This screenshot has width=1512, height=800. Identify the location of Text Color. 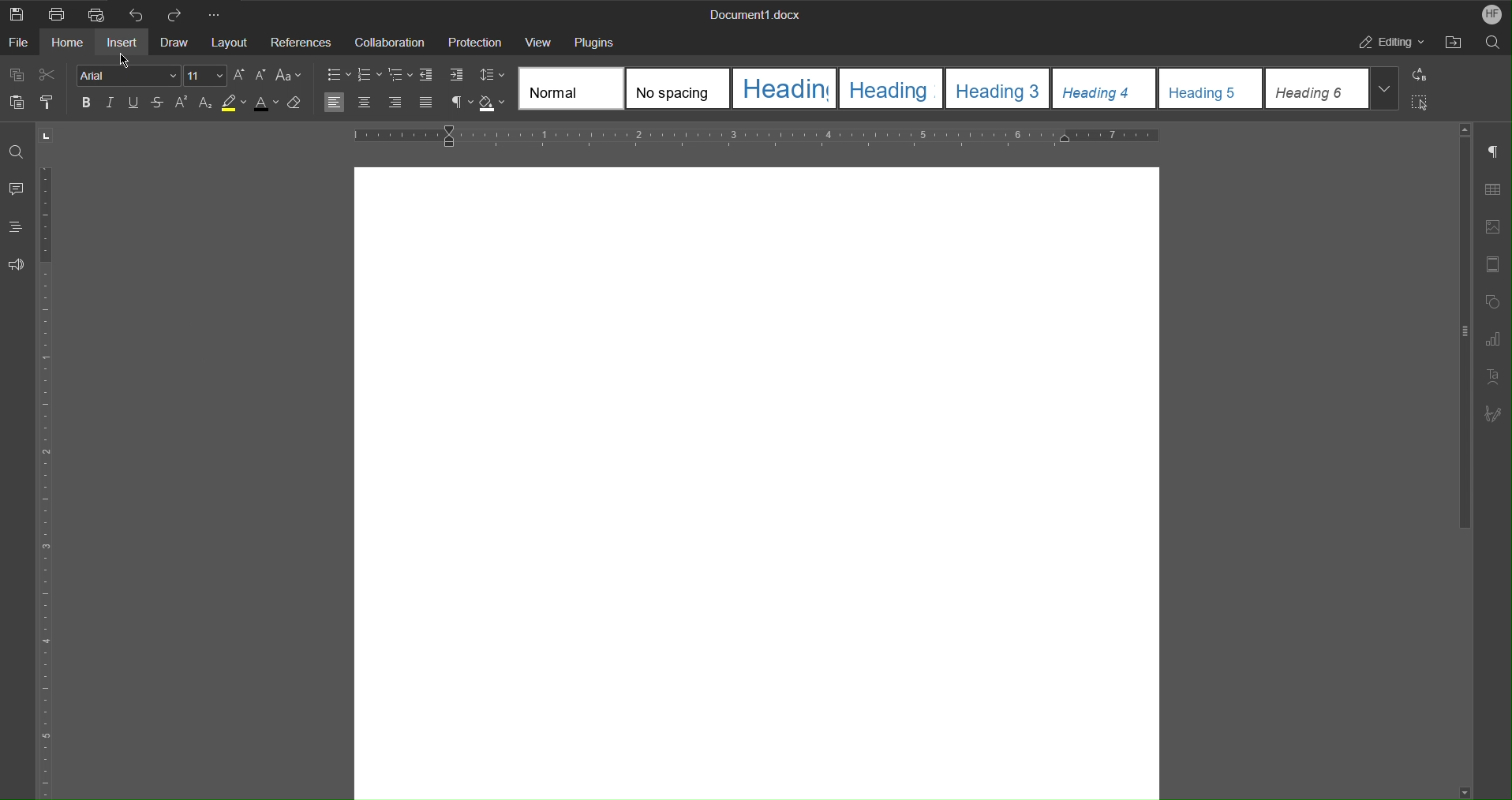
(265, 103).